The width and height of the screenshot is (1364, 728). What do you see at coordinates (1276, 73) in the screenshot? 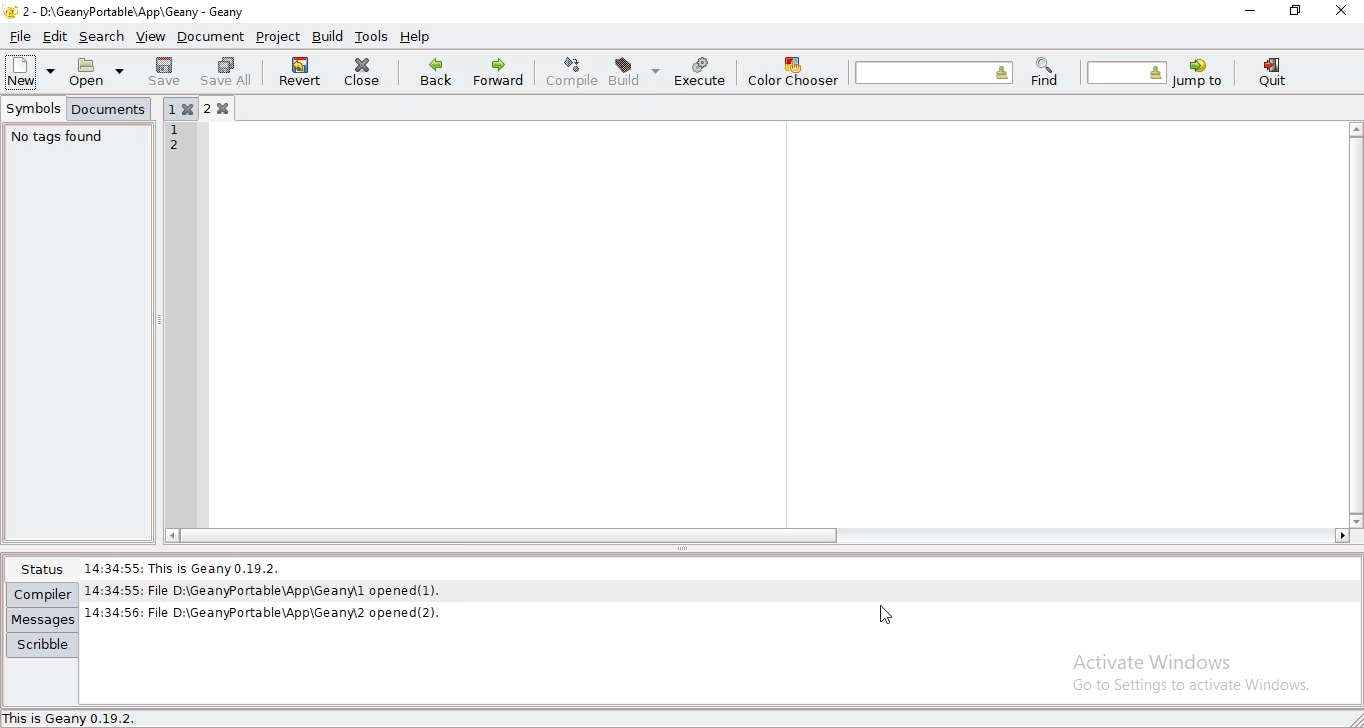
I see `quit` at bounding box center [1276, 73].